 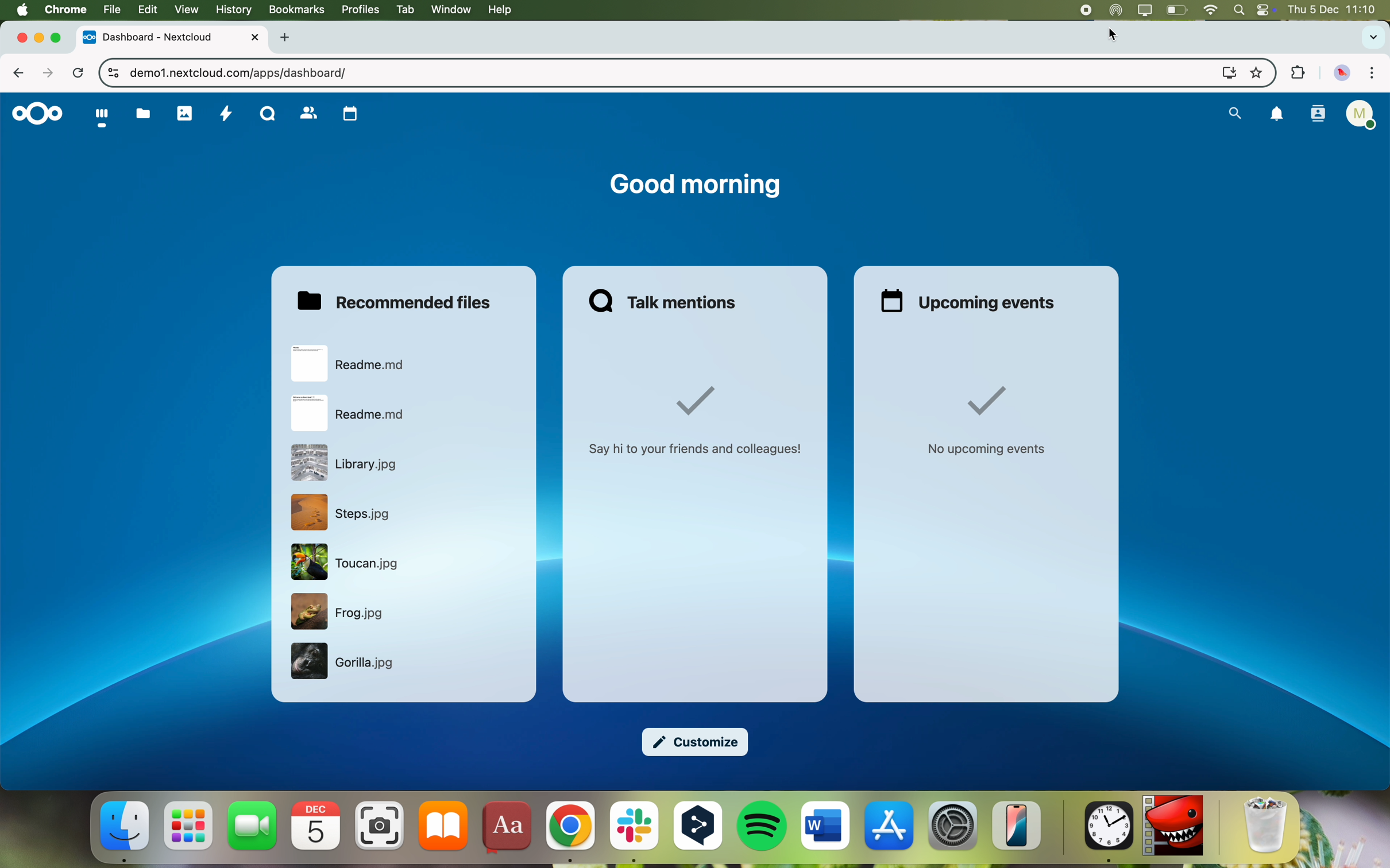 What do you see at coordinates (1176, 9) in the screenshot?
I see `battery` at bounding box center [1176, 9].